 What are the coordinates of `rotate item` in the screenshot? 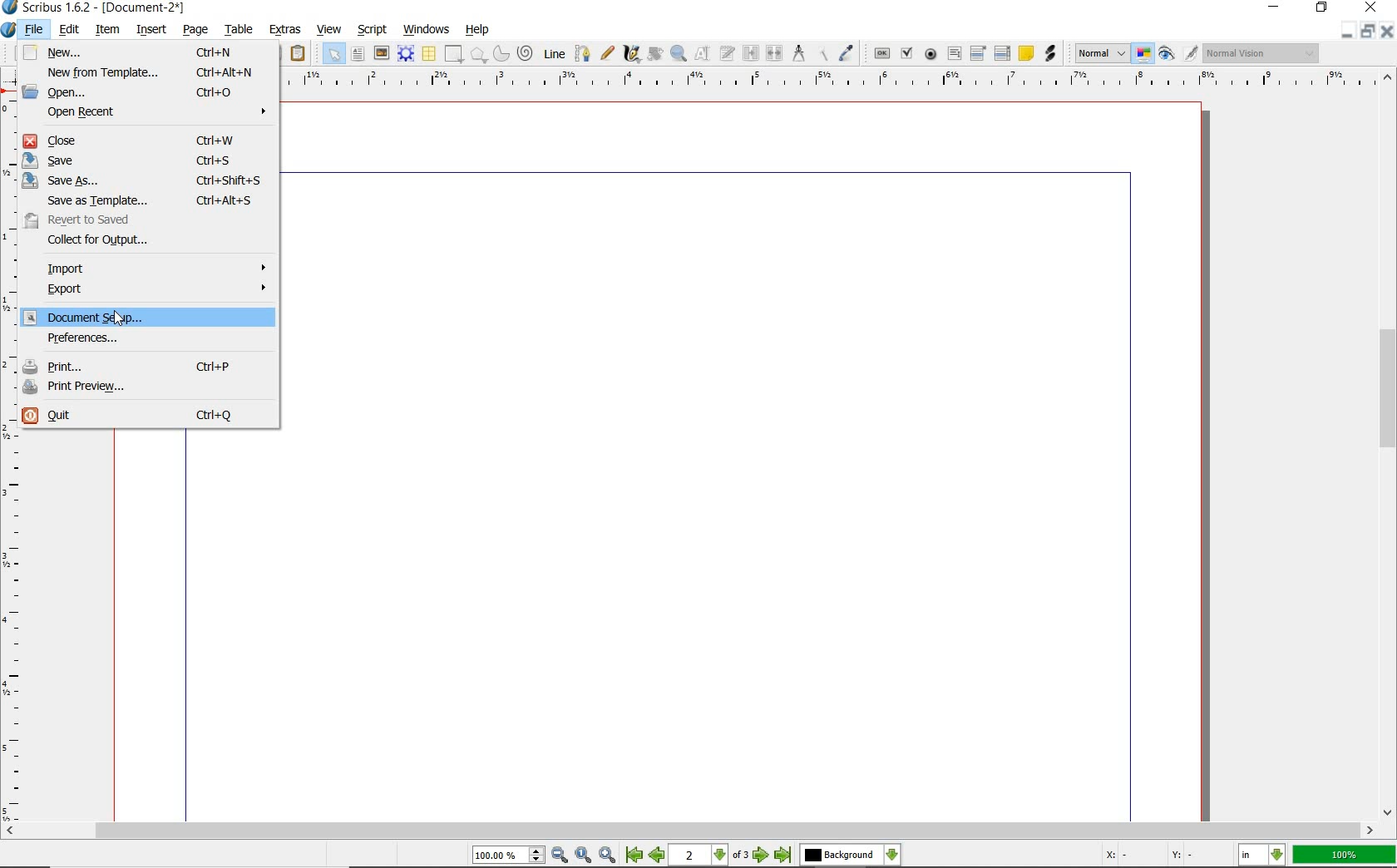 It's located at (654, 53).